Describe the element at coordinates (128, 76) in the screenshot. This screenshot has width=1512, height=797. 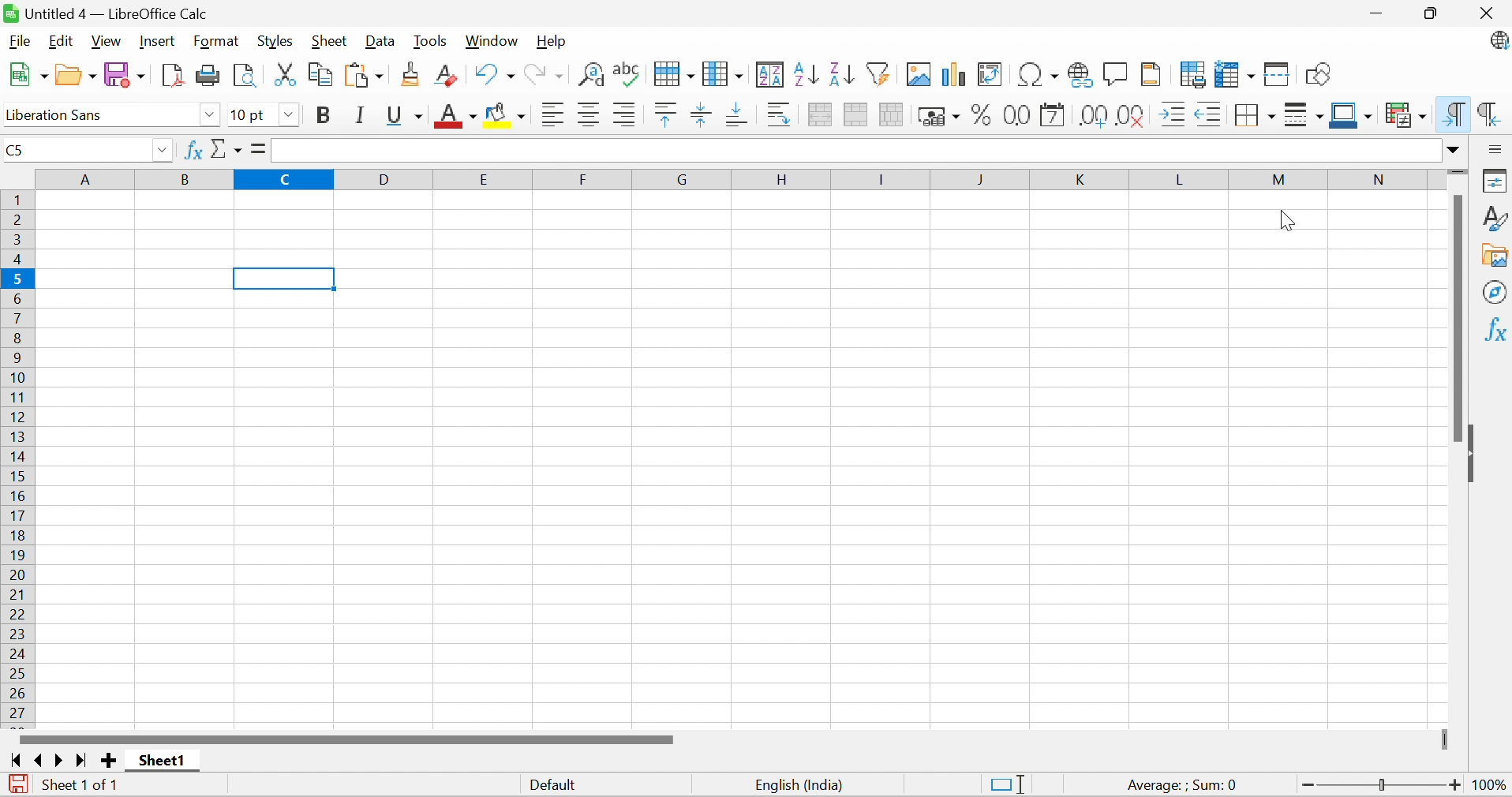
I see `Save` at that location.